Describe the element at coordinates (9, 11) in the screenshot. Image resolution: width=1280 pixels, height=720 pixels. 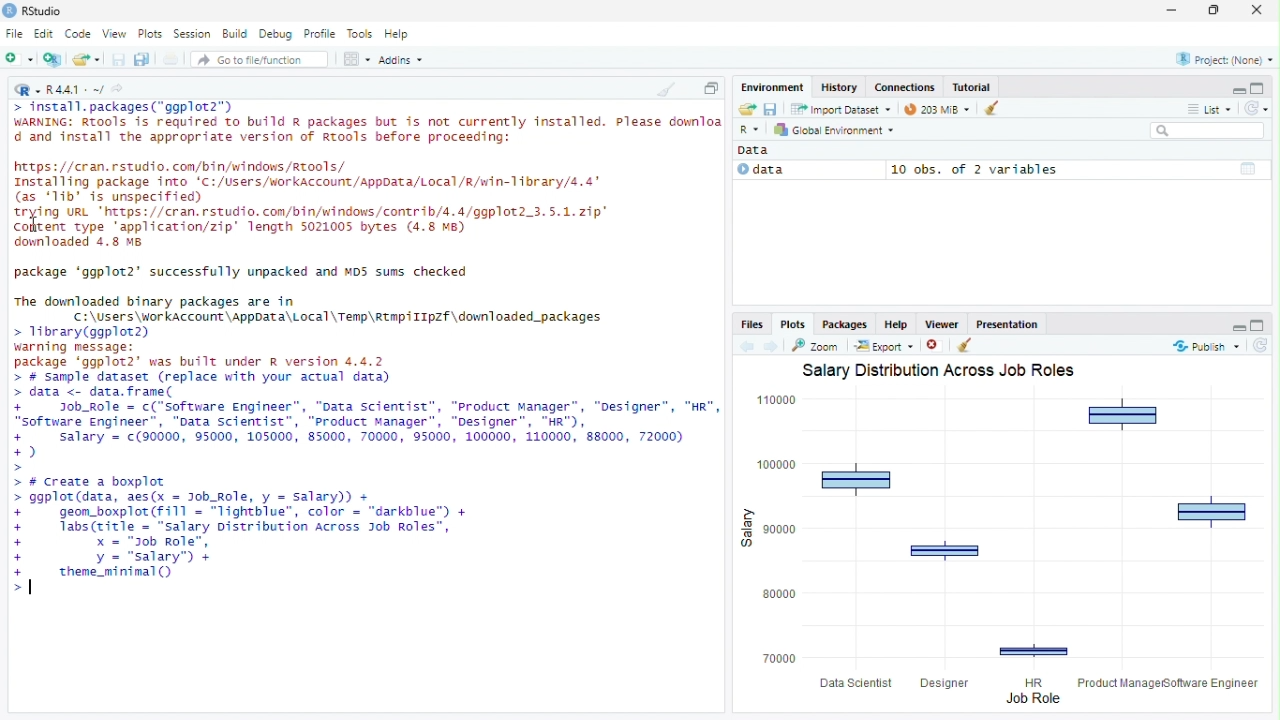
I see `Logo` at that location.